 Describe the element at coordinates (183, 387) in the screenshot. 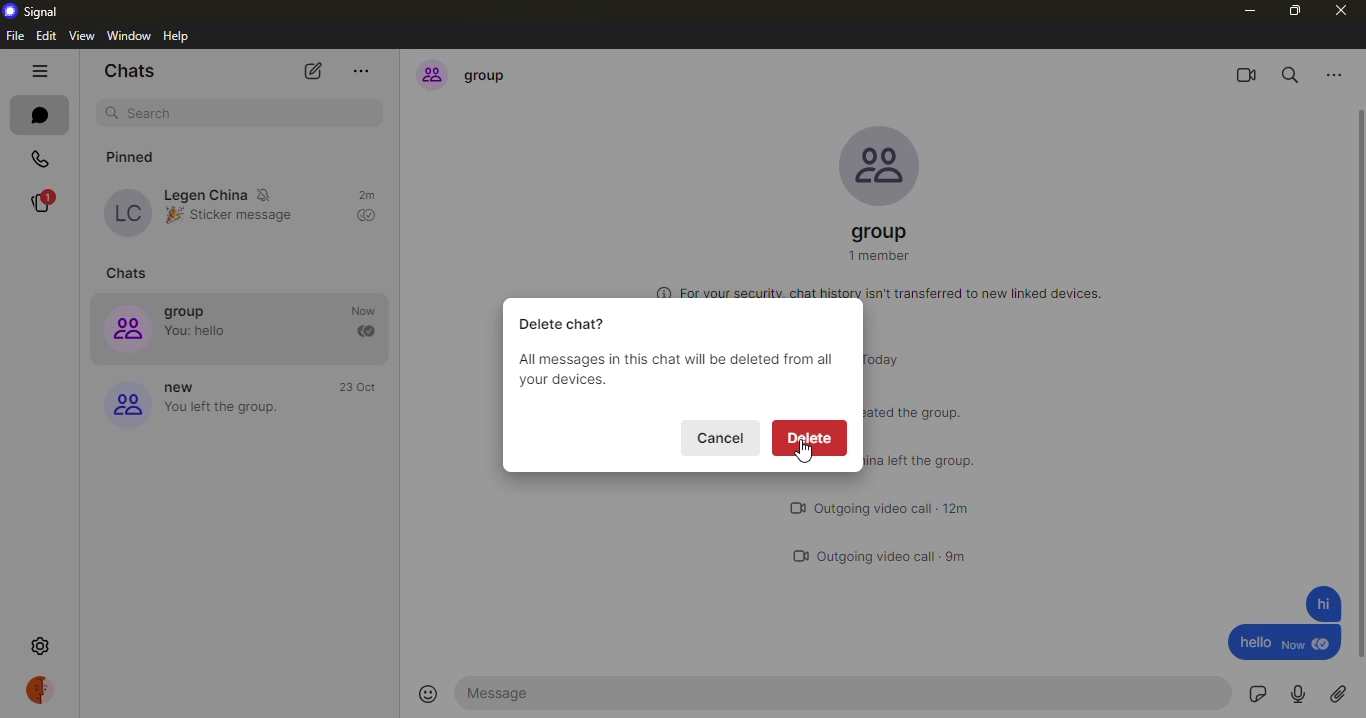

I see `new` at that location.